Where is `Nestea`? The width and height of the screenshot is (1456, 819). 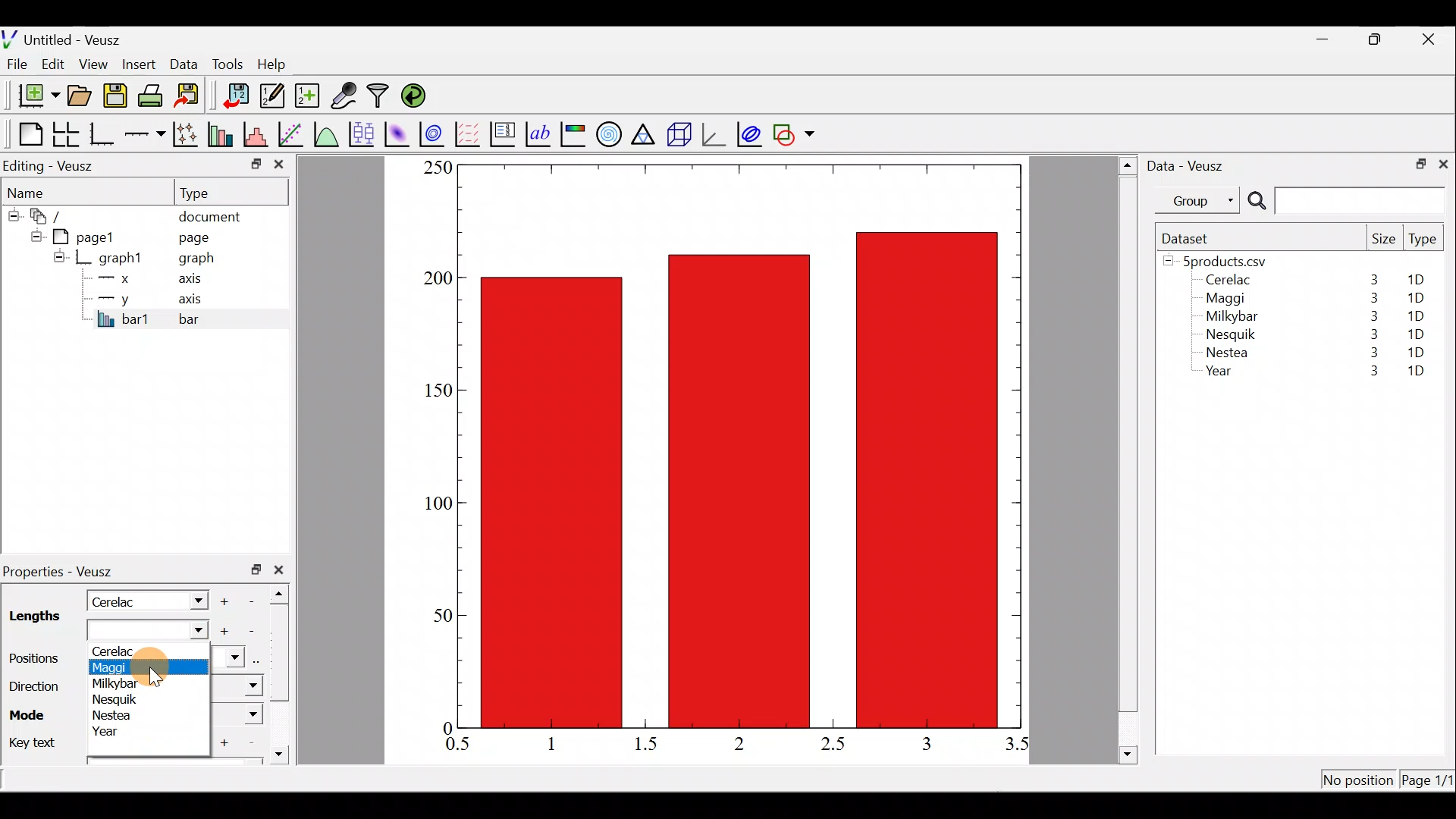 Nestea is located at coordinates (1228, 353).